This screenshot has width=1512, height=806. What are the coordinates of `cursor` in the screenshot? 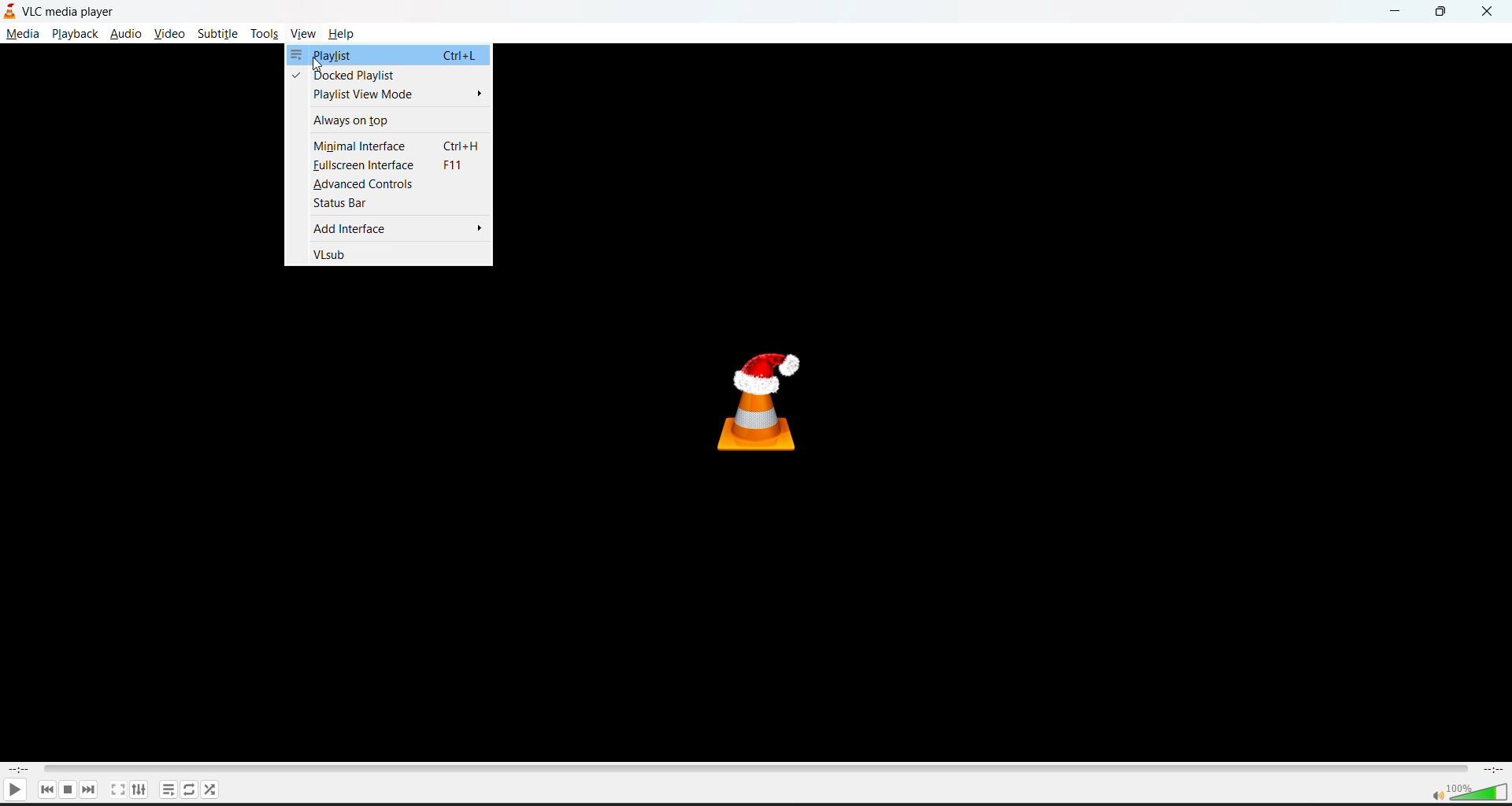 It's located at (318, 65).